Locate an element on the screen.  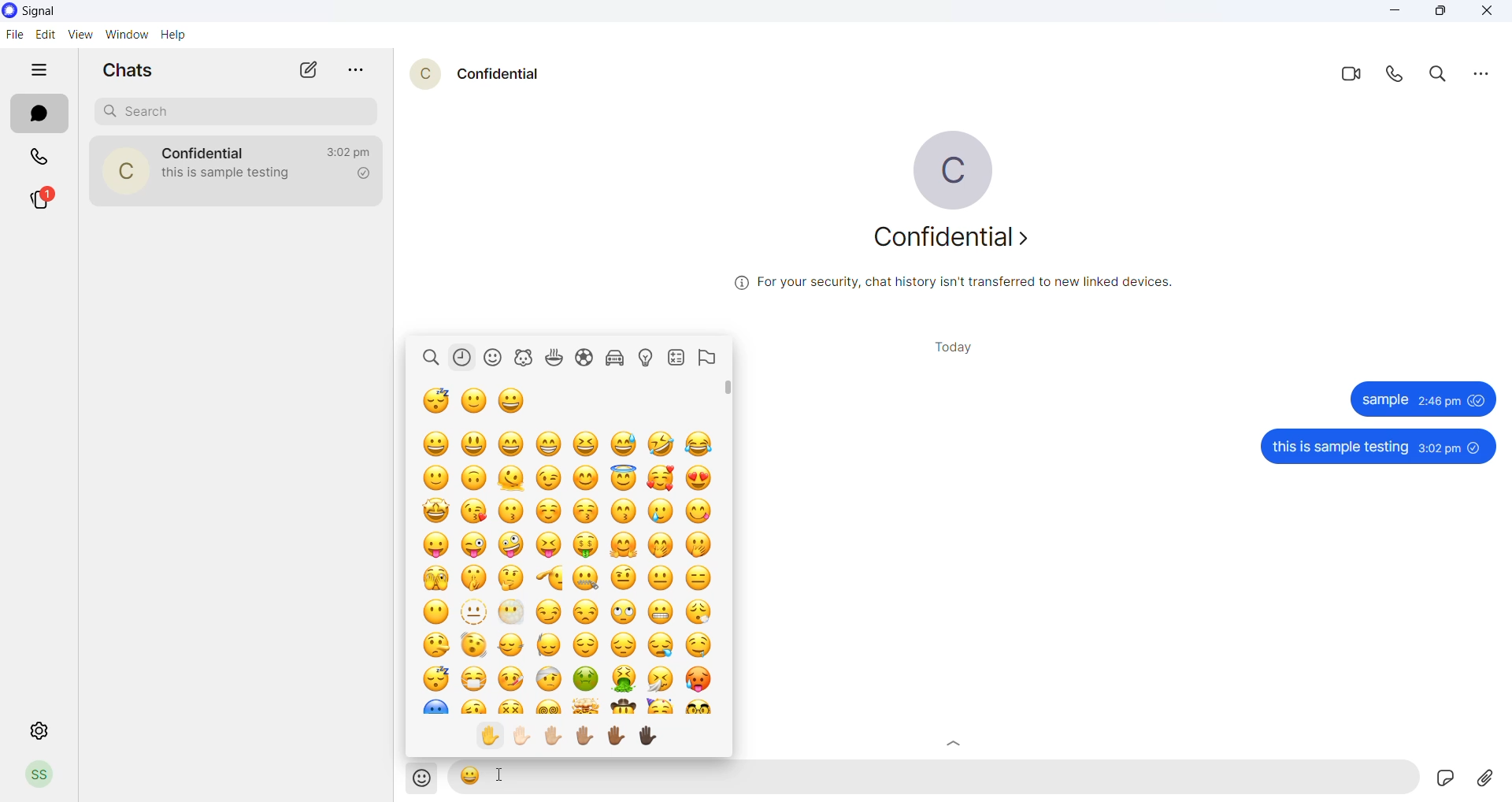
more options is located at coordinates (1475, 73).